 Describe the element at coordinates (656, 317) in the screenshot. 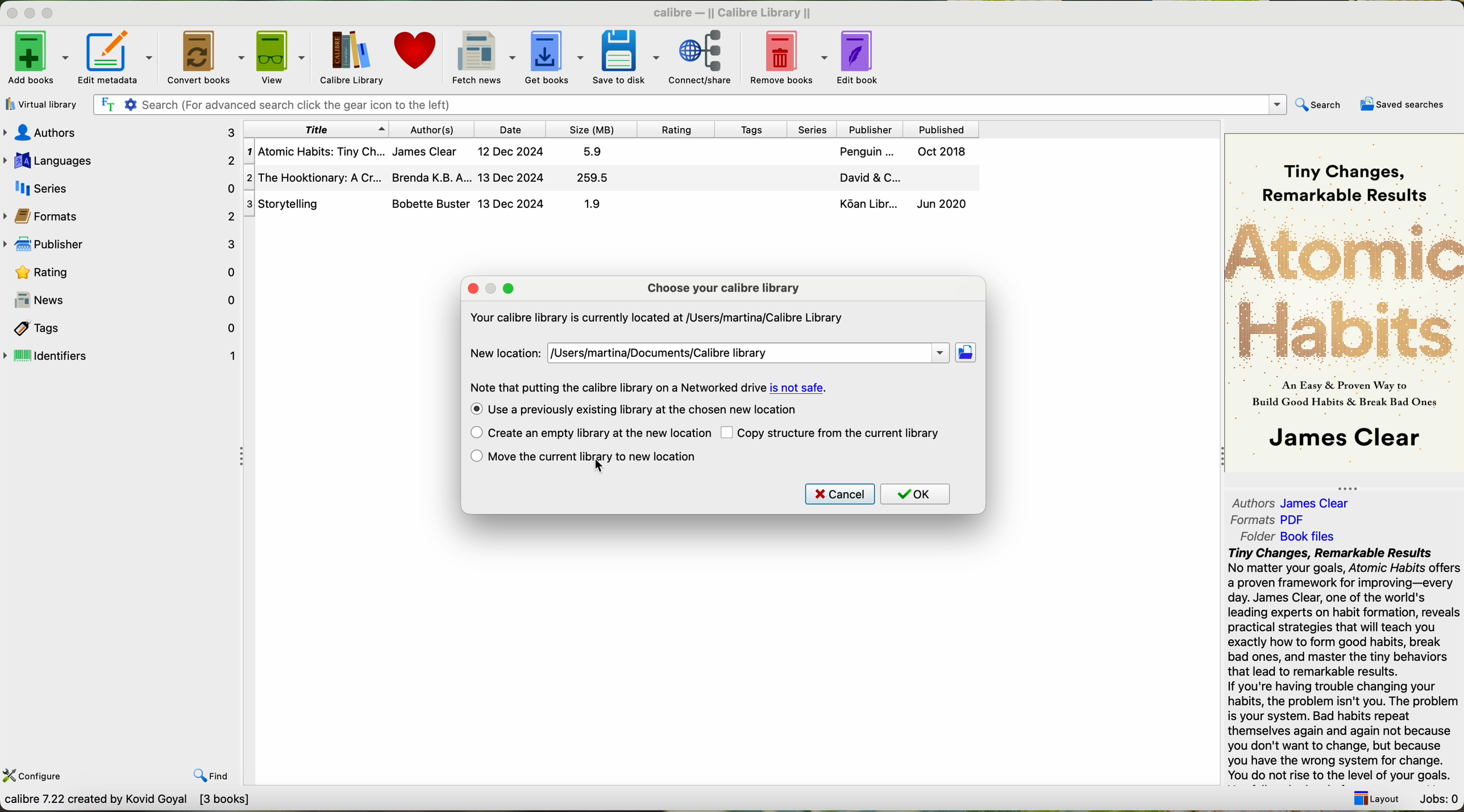

I see `your calibre library is currently located at user/martina/Calibre Library` at that location.